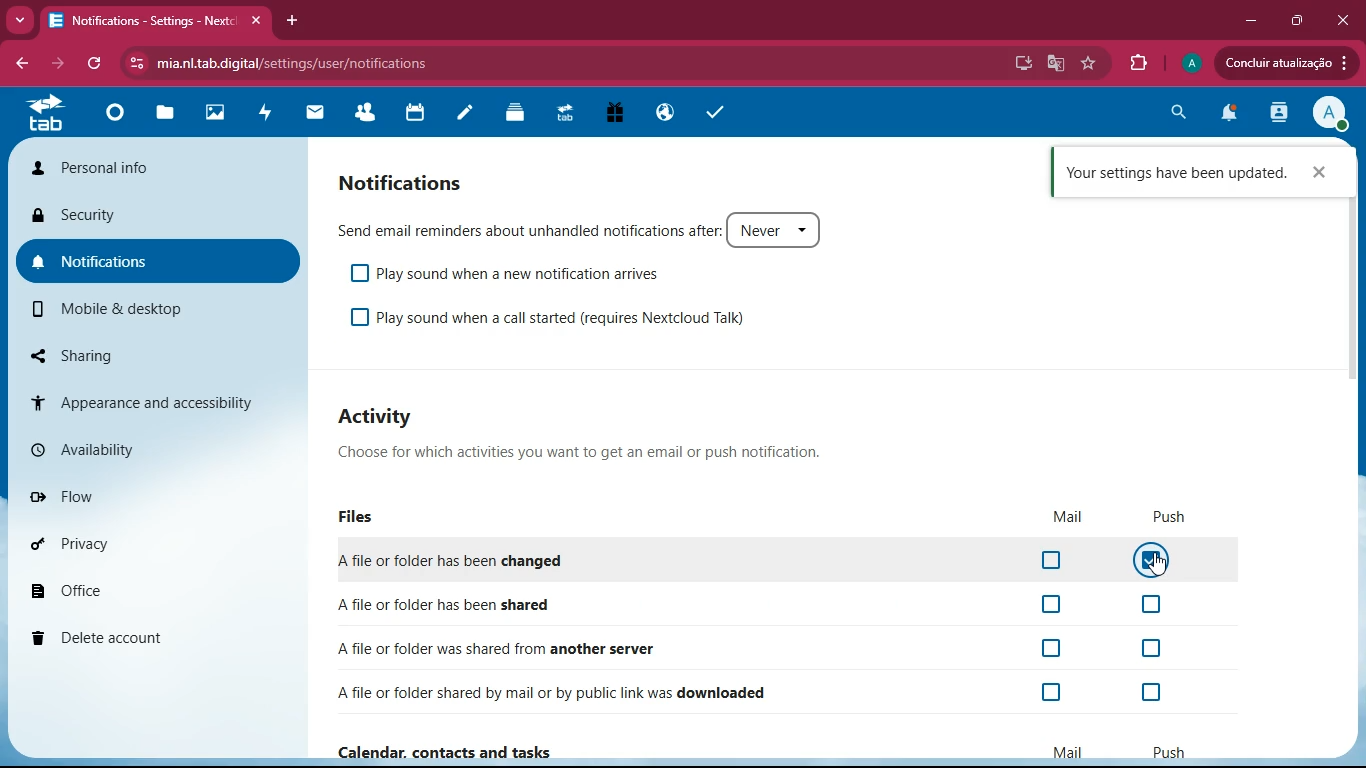 The width and height of the screenshot is (1366, 768). What do you see at coordinates (142, 397) in the screenshot?
I see `appearance` at bounding box center [142, 397].